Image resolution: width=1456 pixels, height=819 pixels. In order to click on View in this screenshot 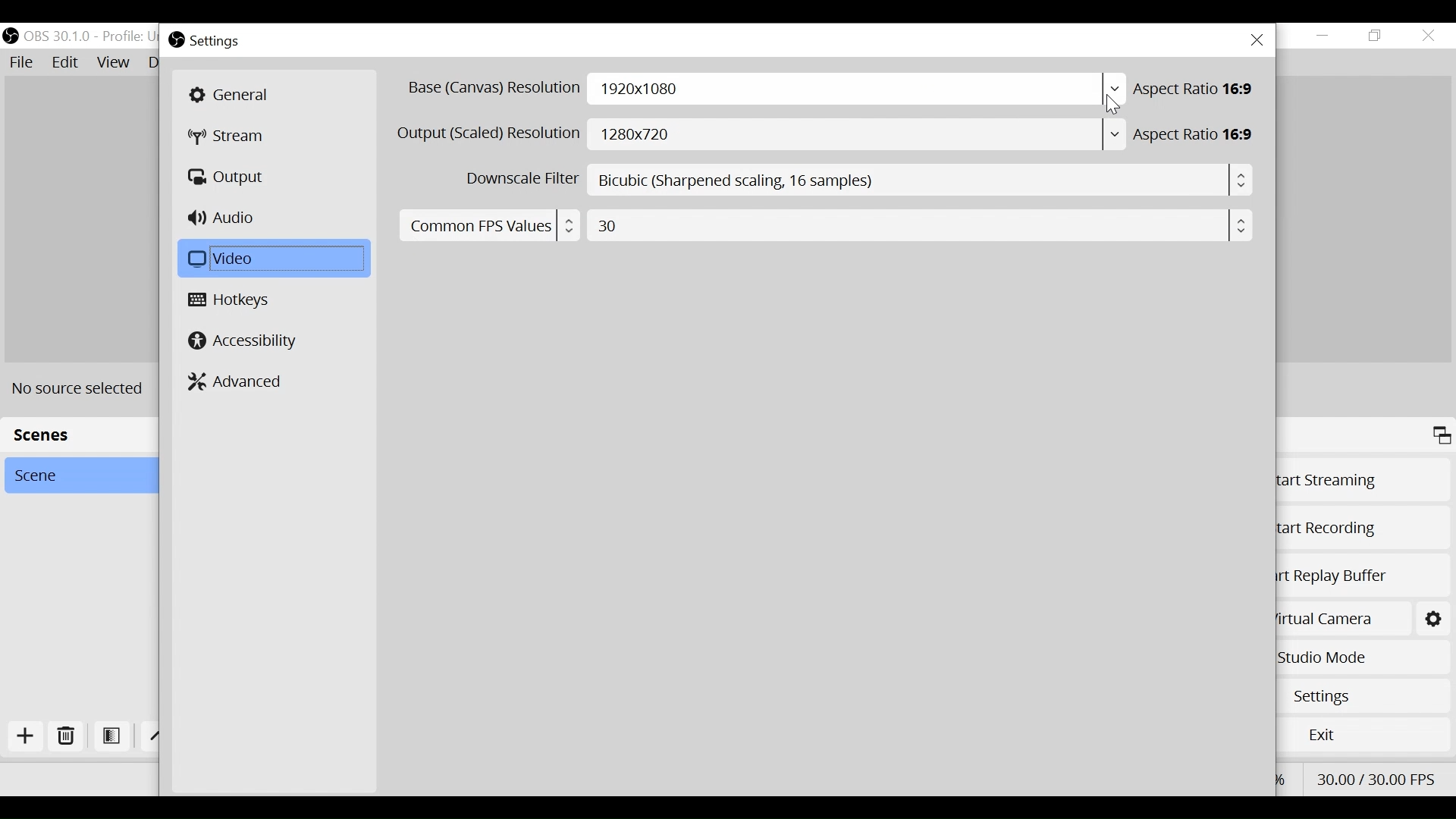, I will do `click(113, 63)`.